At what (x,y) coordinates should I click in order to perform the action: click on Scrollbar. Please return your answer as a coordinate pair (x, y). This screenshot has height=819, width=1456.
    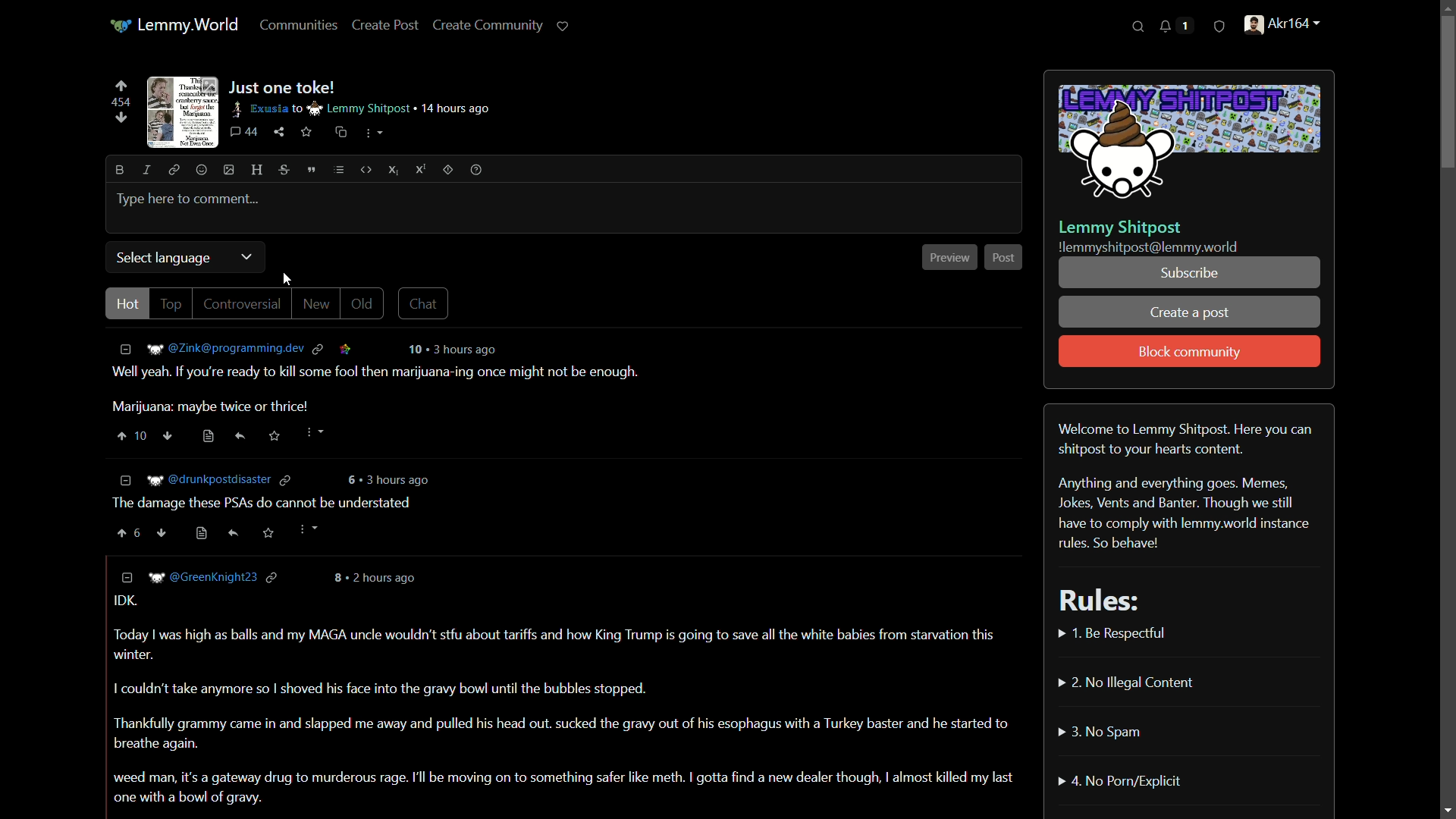
    Looking at the image, I should click on (1446, 409).